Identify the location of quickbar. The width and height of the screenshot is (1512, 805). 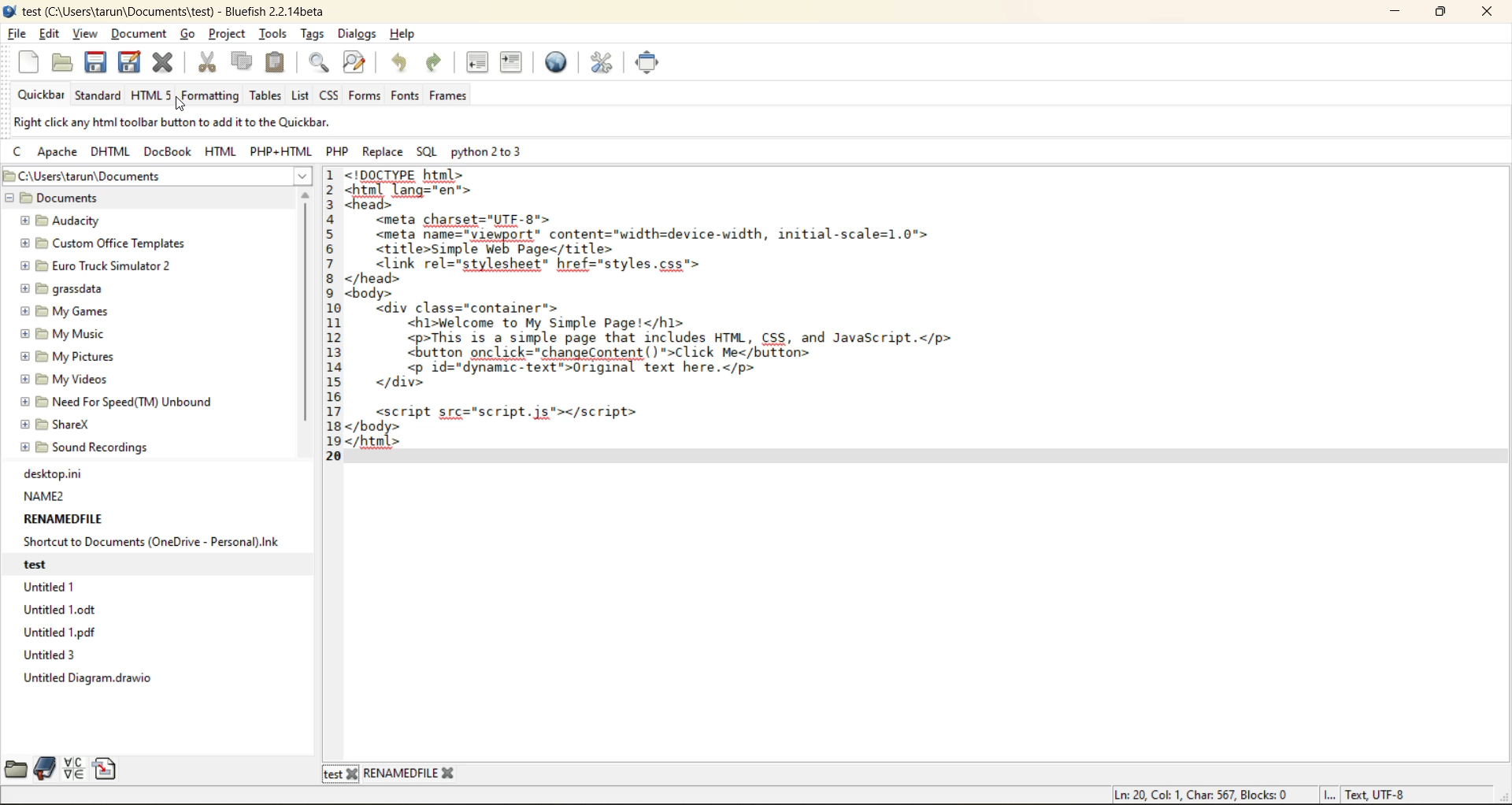
(35, 95).